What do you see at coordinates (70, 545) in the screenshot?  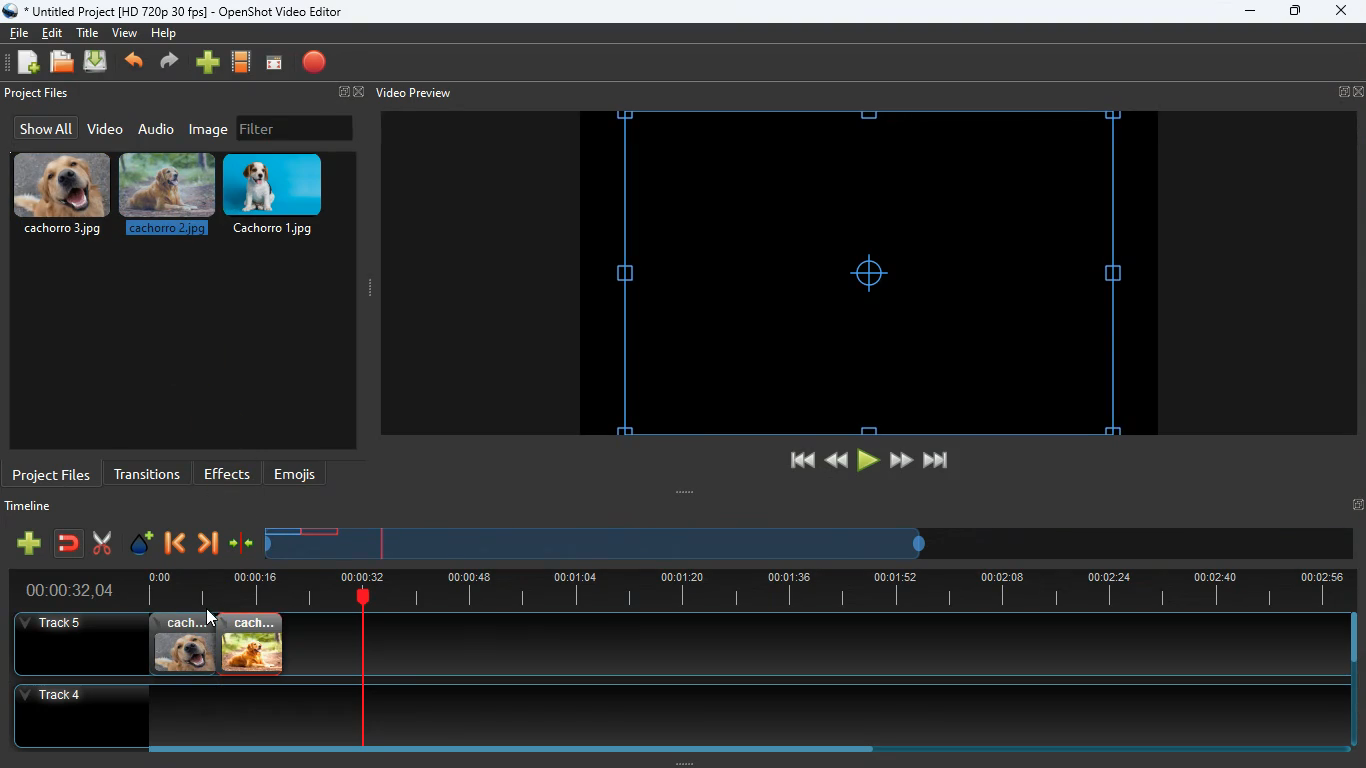 I see `join` at bounding box center [70, 545].